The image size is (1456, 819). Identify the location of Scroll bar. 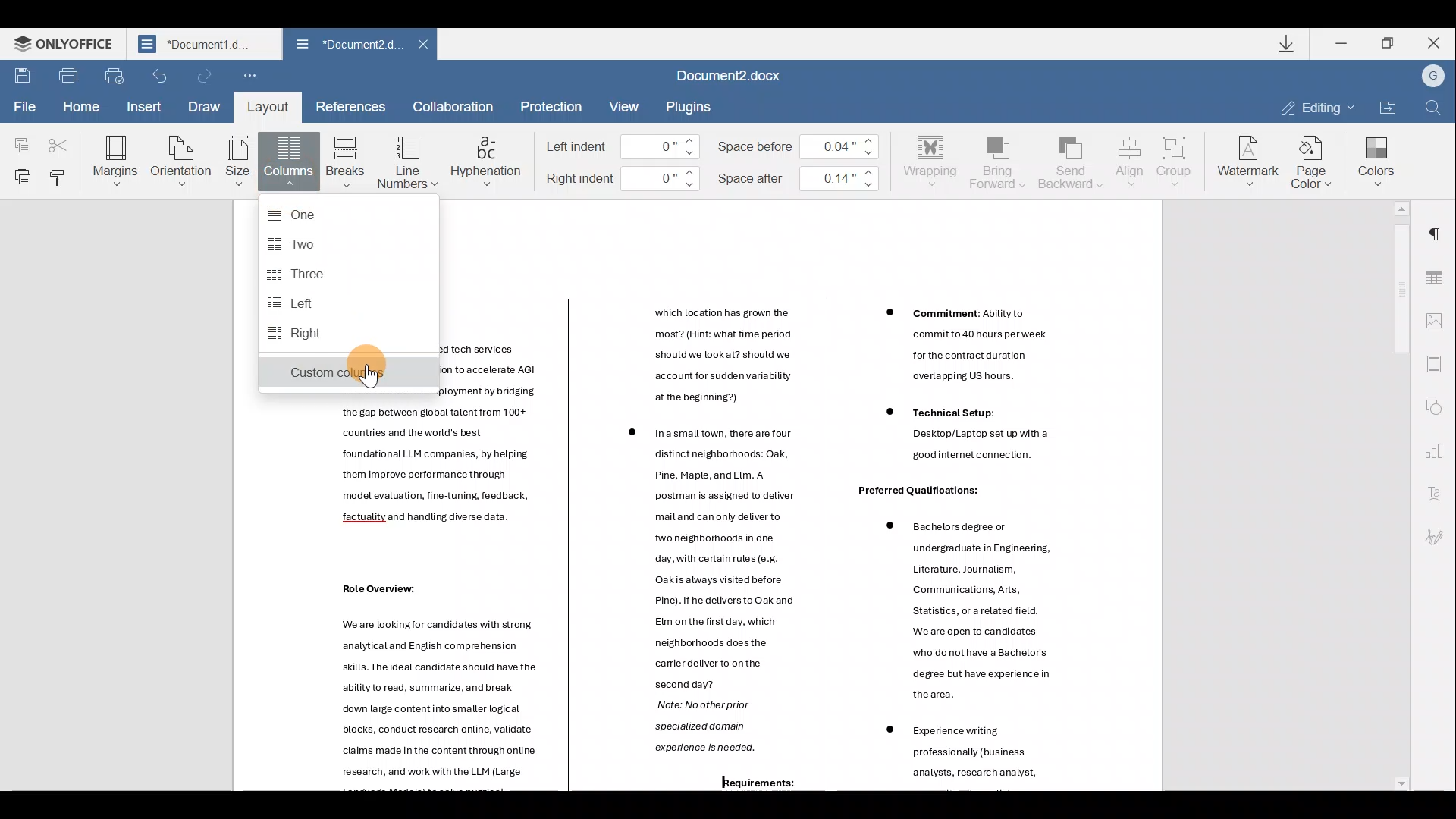
(1396, 495).